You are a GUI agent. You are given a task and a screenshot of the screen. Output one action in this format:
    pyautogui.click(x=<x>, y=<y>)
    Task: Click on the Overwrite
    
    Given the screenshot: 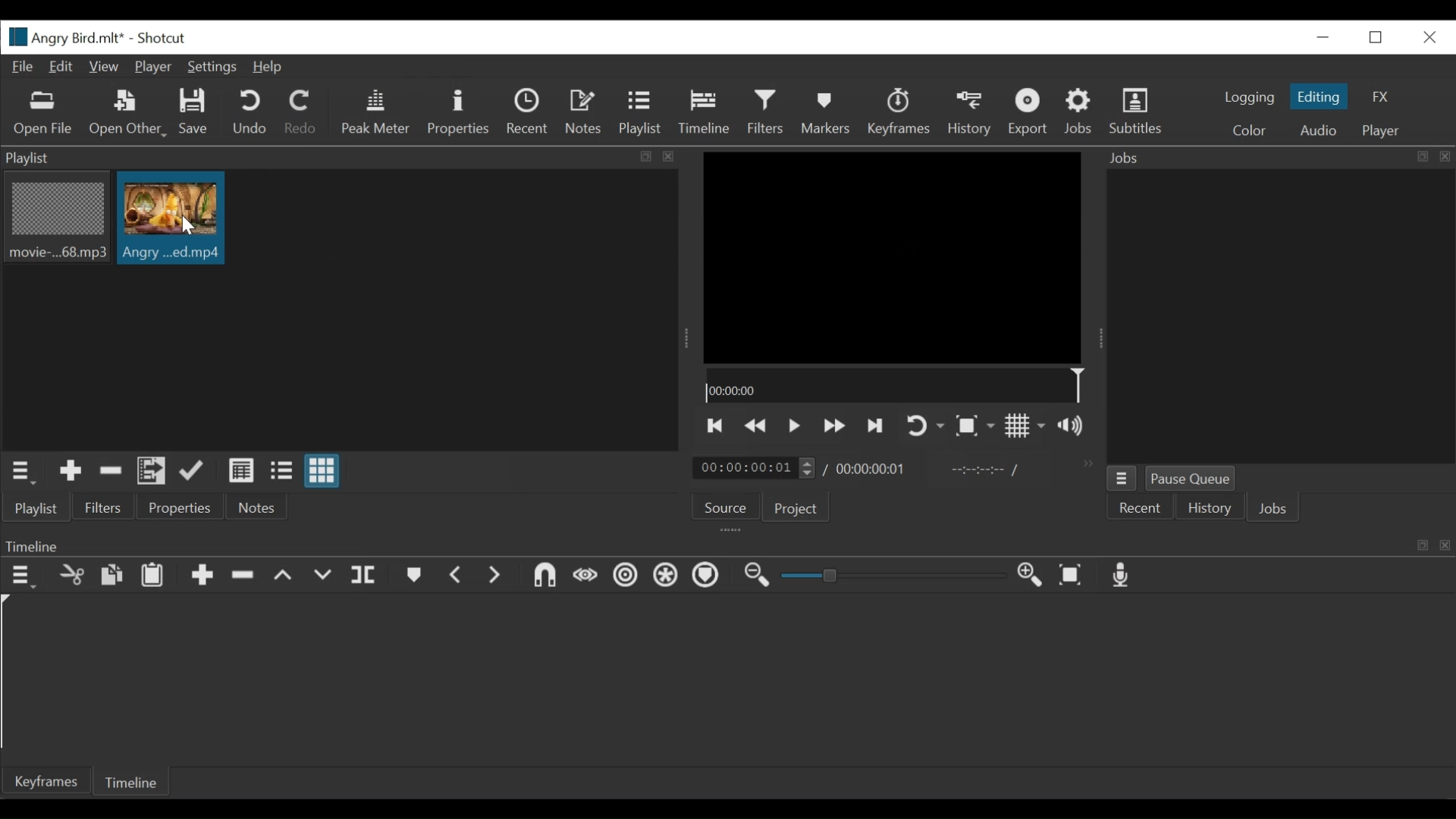 What is the action you would take?
    pyautogui.click(x=324, y=576)
    